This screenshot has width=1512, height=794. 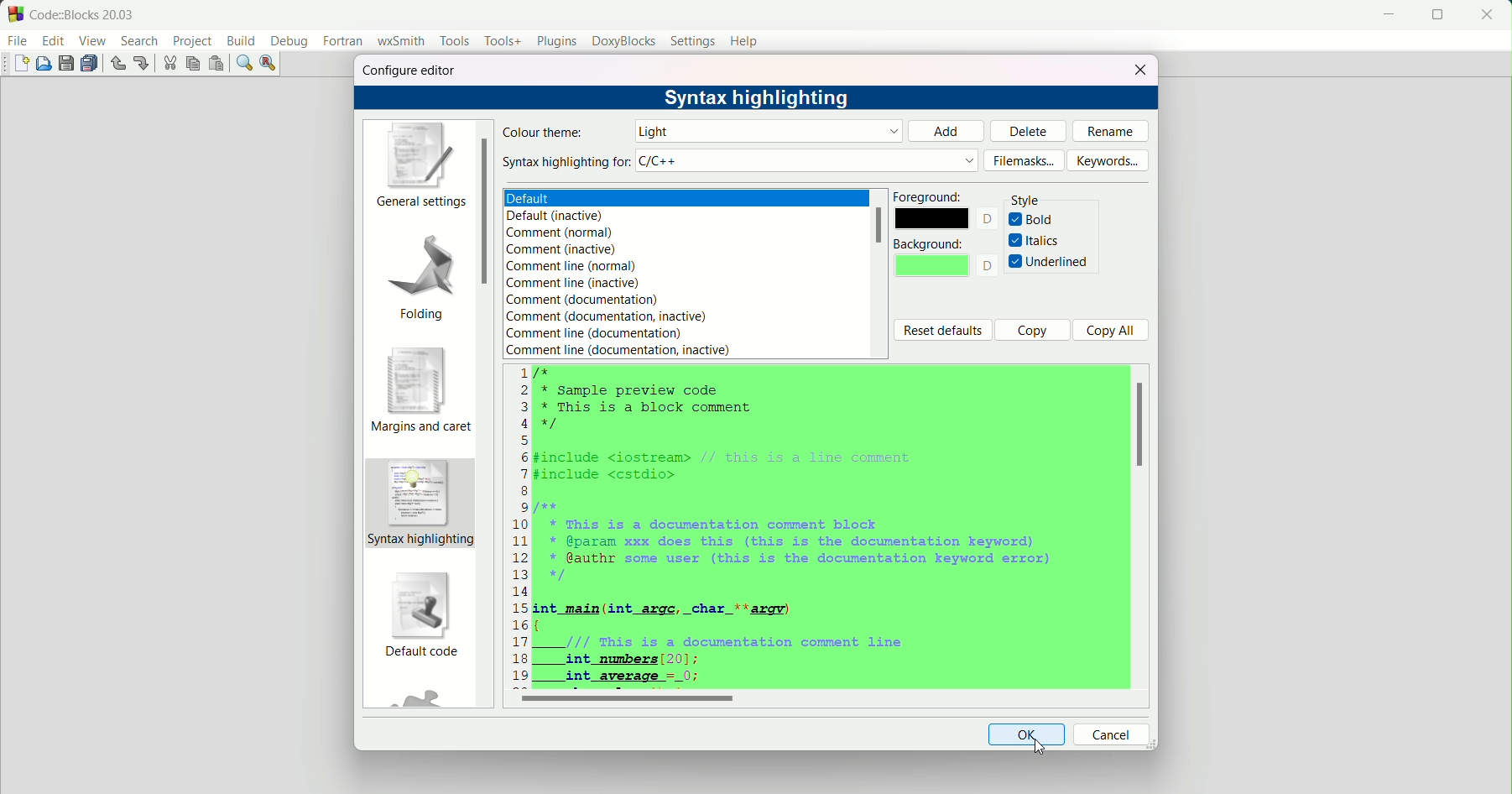 I want to click on undo, so click(x=117, y=64).